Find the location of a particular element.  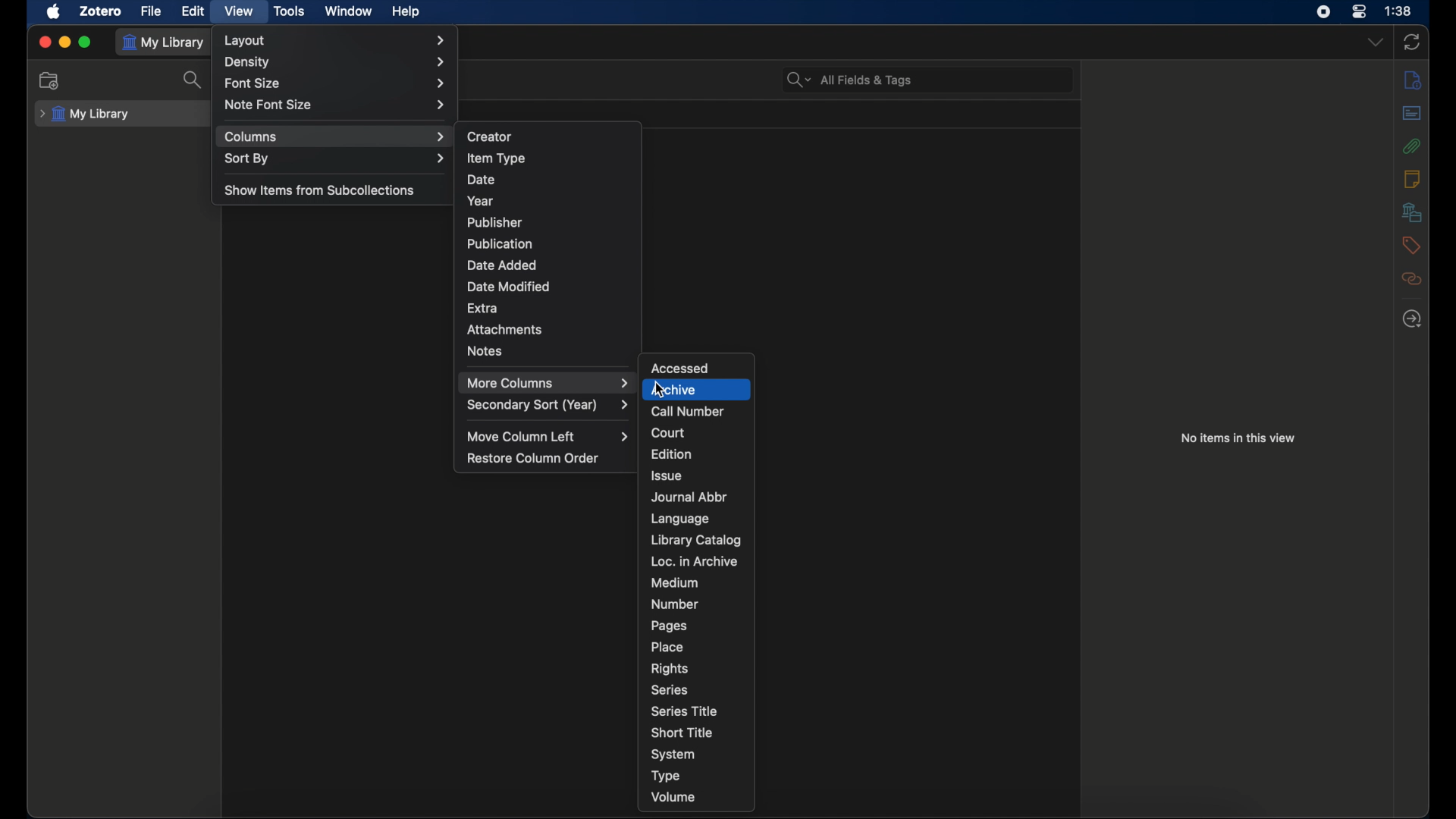

 is located at coordinates (546, 382).